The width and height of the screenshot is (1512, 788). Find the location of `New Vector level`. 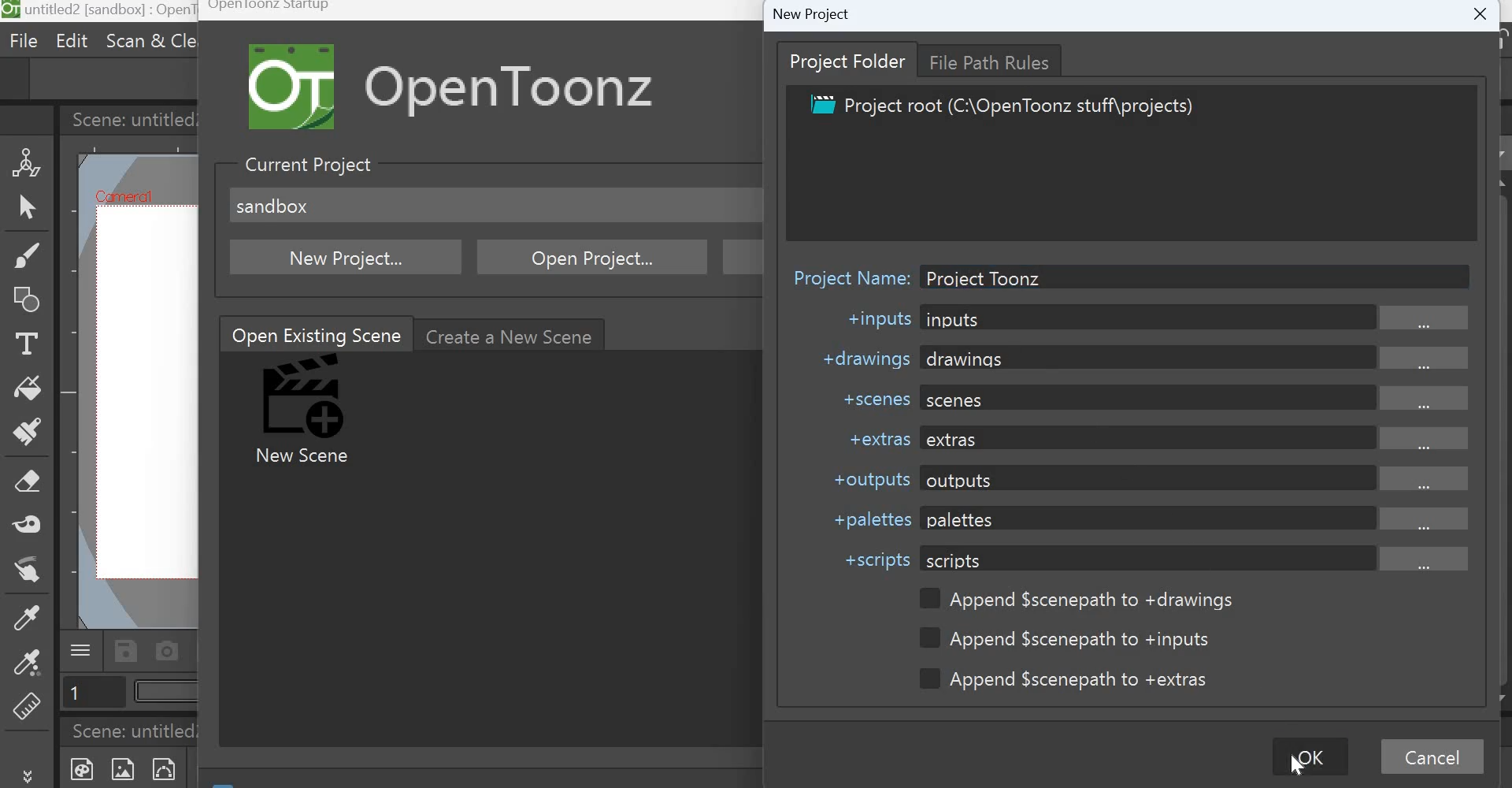

New Vector level is located at coordinates (172, 768).